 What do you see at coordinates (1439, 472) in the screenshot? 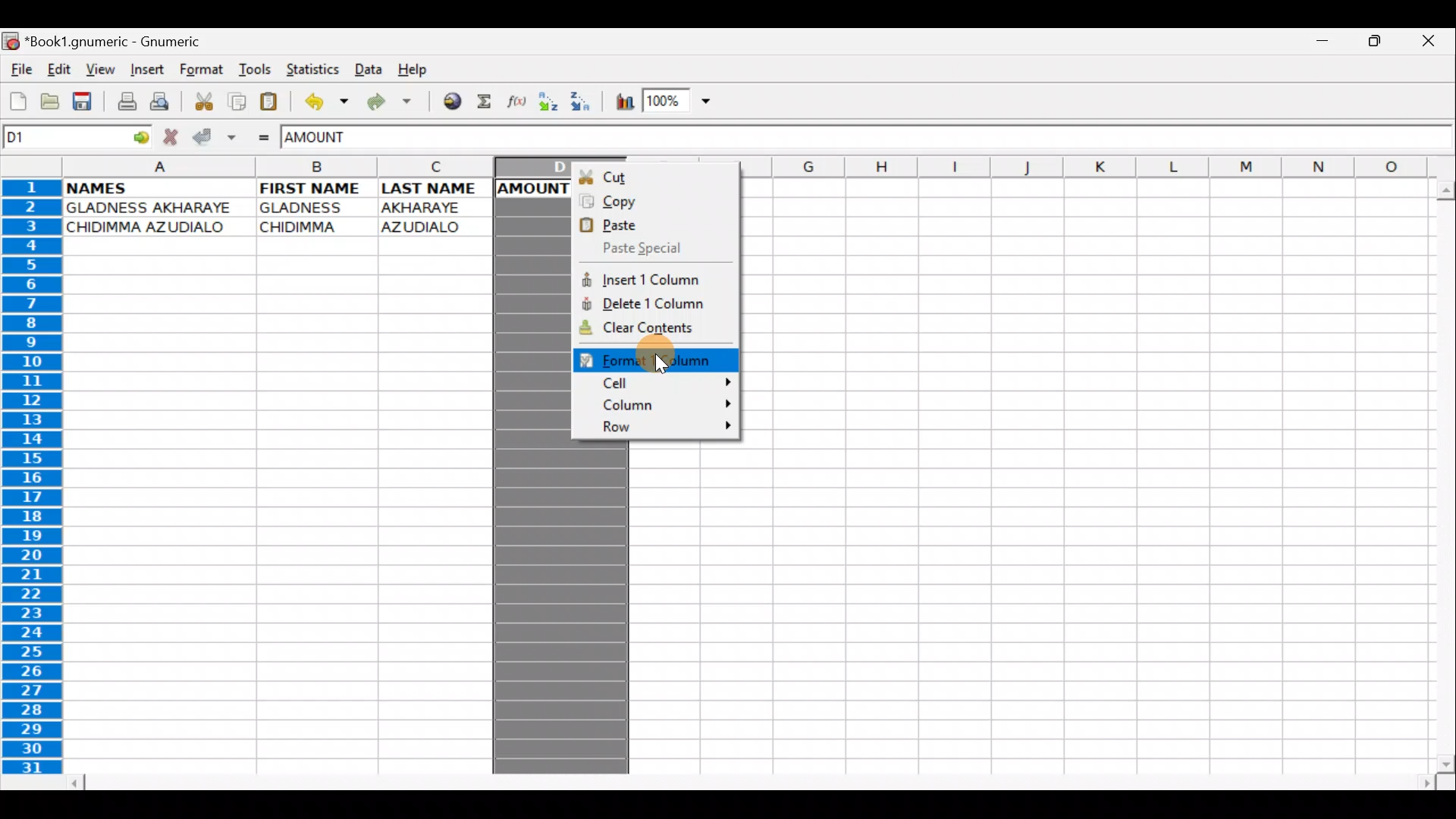
I see `Scroll bar` at bounding box center [1439, 472].